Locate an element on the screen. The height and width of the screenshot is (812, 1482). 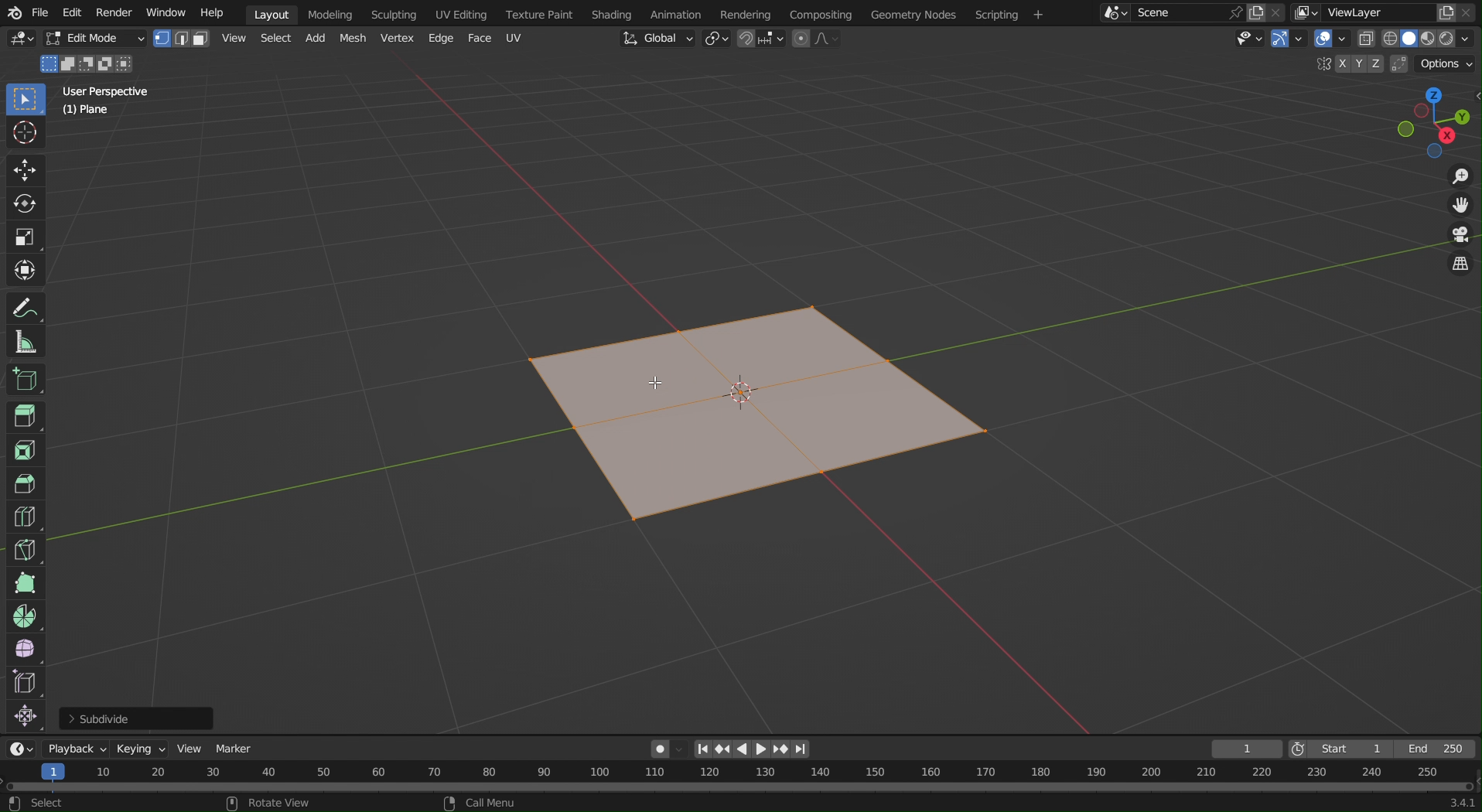
More layers is located at coordinates (1306, 14).